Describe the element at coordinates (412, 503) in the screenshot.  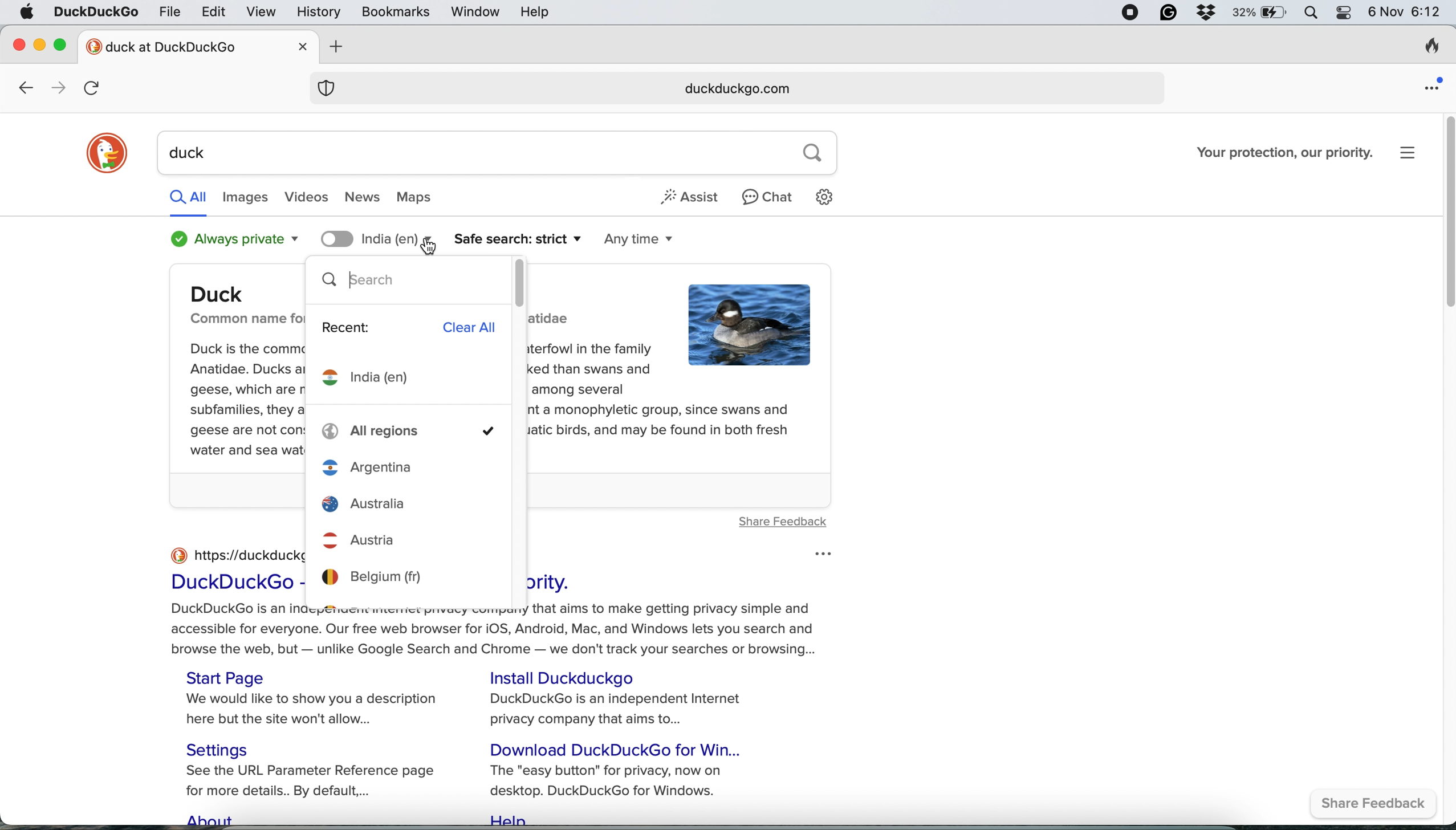
I see `australia` at that location.